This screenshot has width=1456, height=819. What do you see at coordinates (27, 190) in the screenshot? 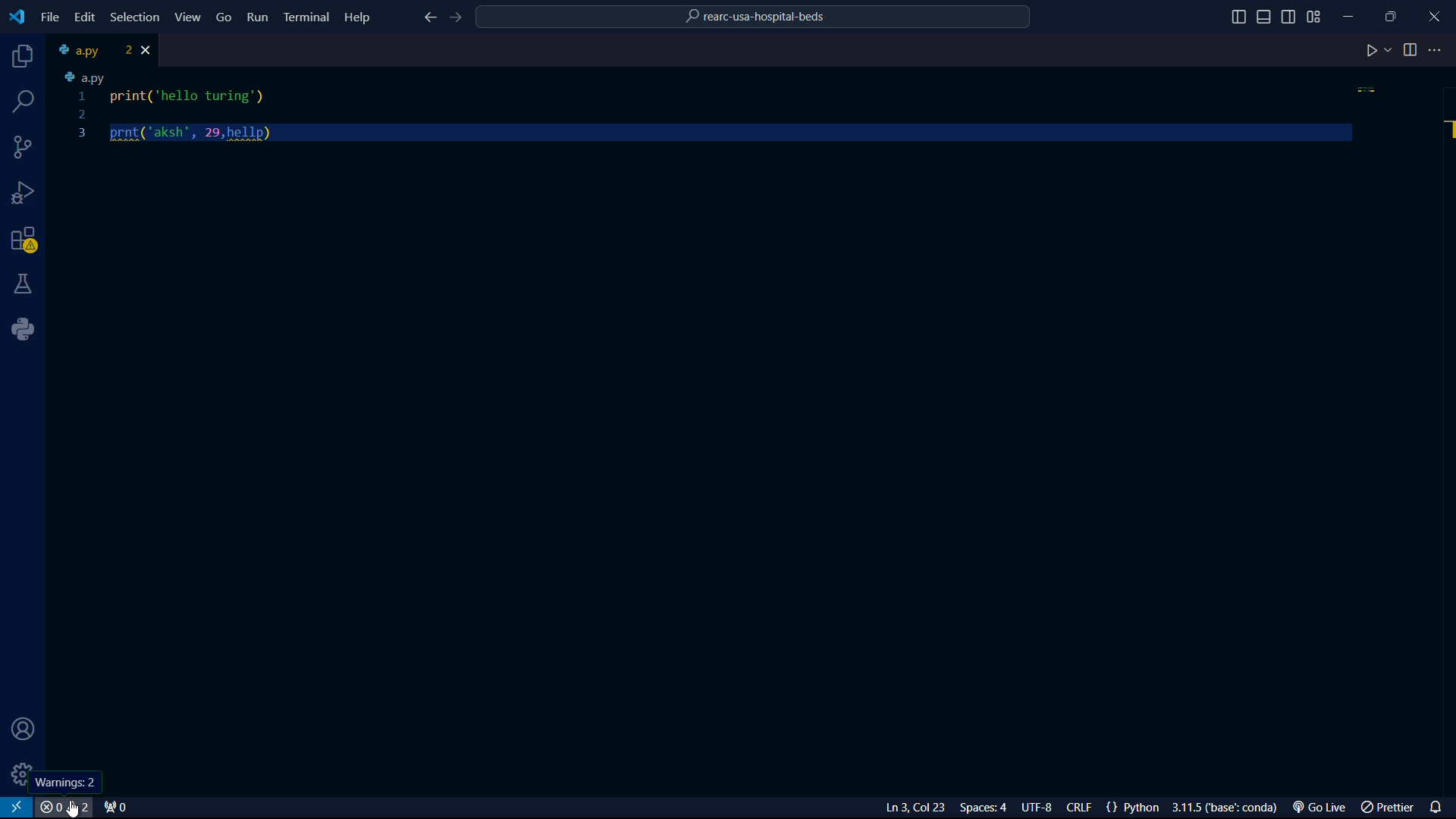
I see `bug` at bounding box center [27, 190].